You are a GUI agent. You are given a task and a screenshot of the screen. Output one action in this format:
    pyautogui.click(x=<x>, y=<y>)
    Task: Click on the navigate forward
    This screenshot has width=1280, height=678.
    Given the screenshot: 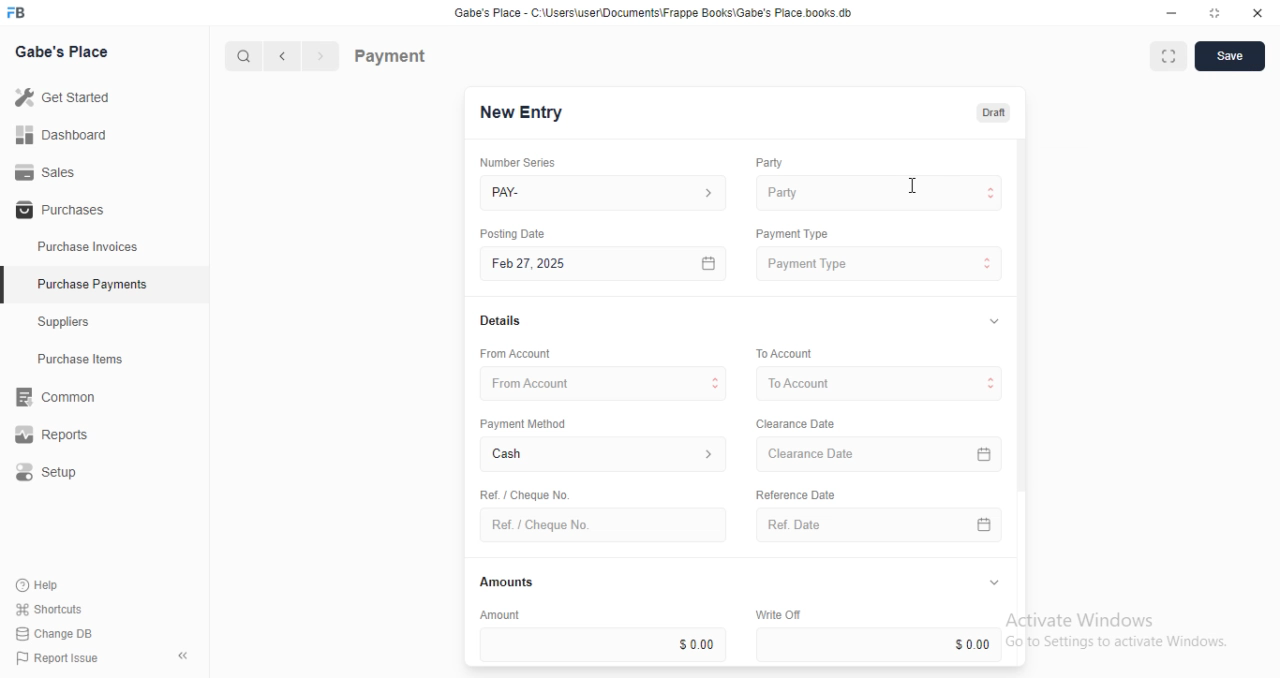 What is the action you would take?
    pyautogui.click(x=322, y=57)
    